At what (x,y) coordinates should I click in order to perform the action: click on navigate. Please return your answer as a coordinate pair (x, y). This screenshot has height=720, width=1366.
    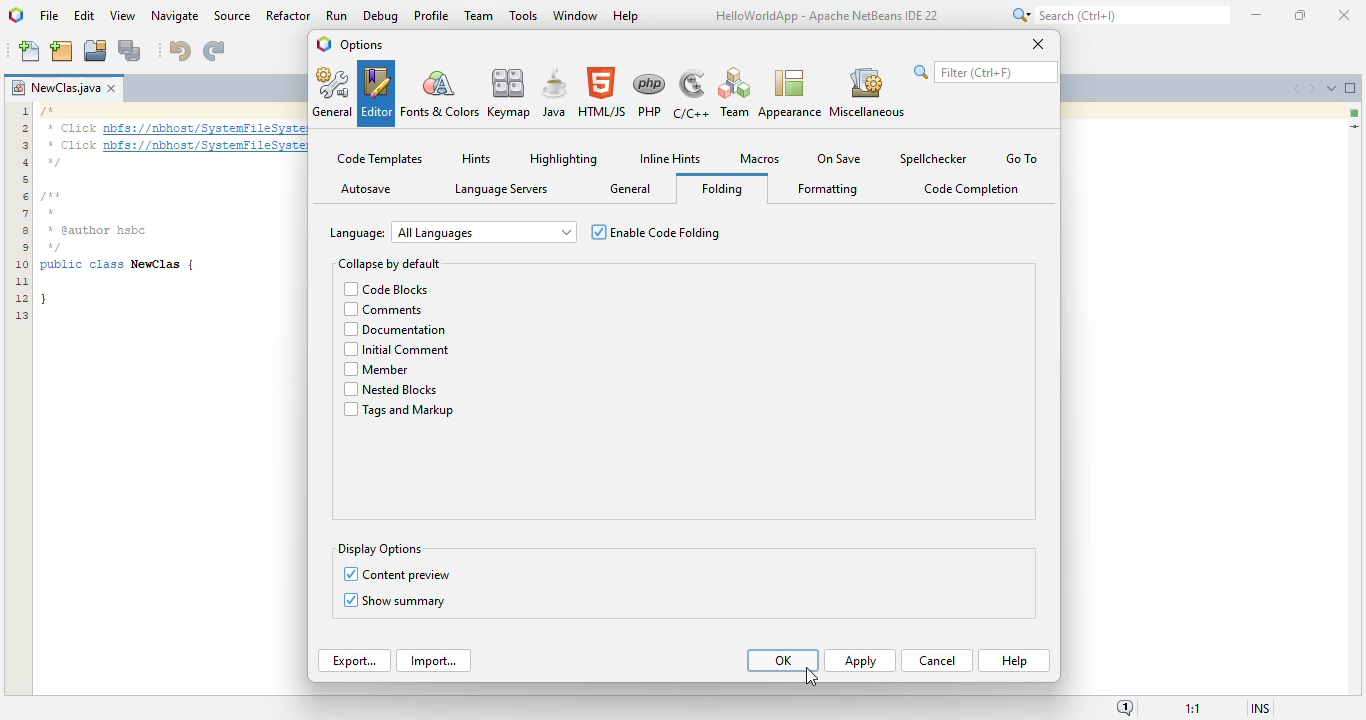
    Looking at the image, I should click on (174, 16).